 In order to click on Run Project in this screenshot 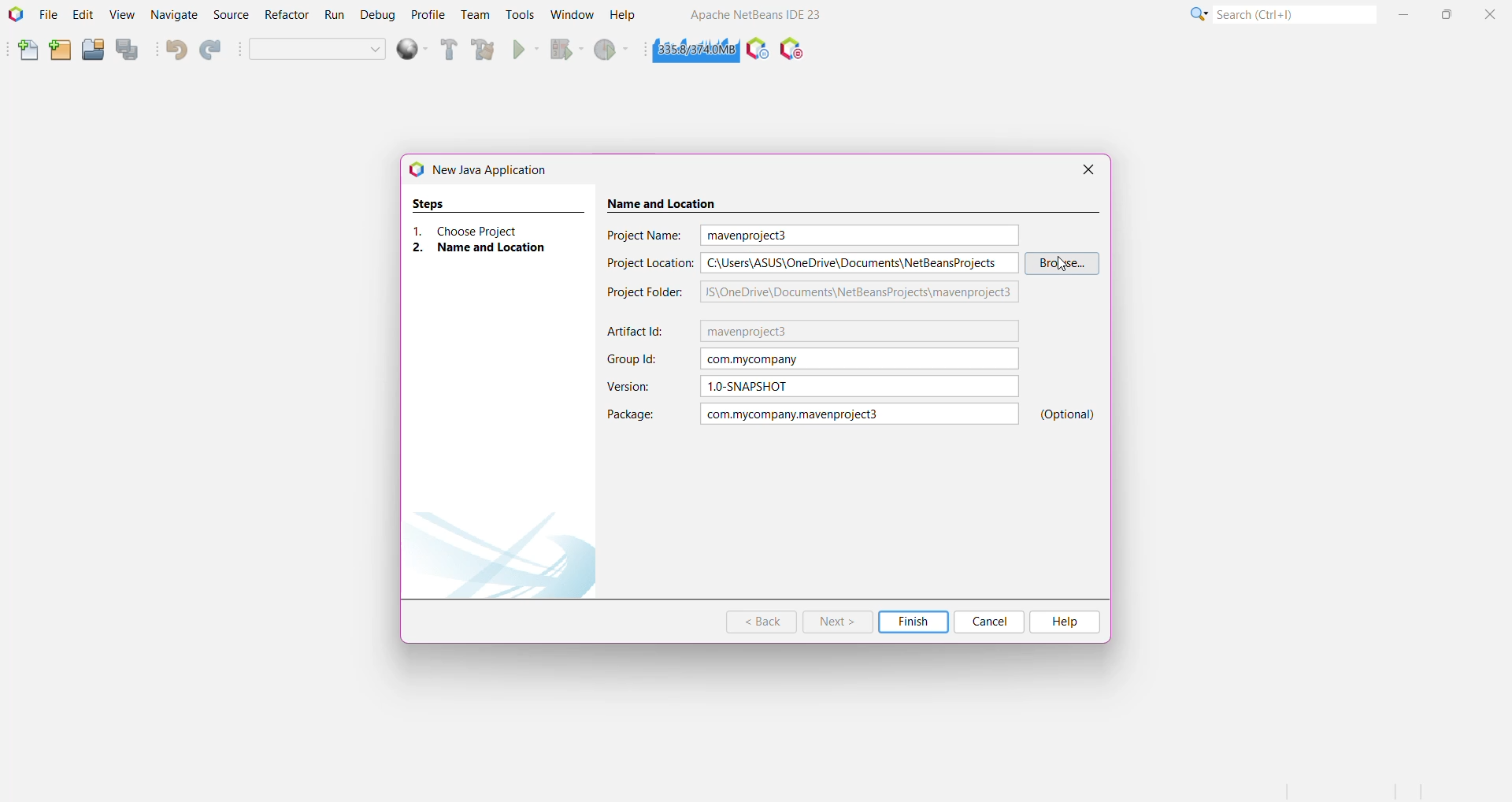, I will do `click(522, 50)`.